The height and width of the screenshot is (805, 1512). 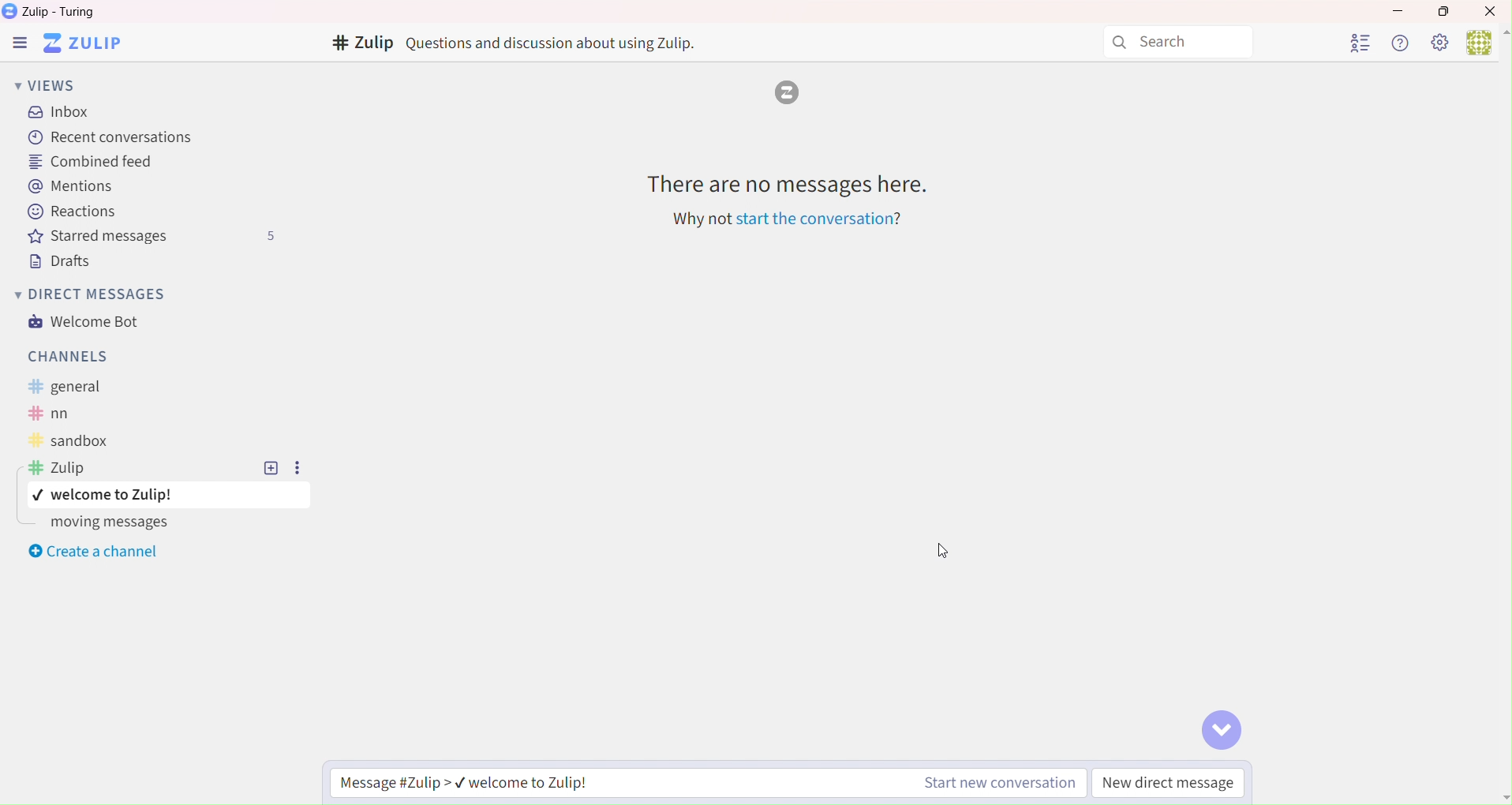 What do you see at coordinates (1403, 45) in the screenshot?
I see `Help` at bounding box center [1403, 45].